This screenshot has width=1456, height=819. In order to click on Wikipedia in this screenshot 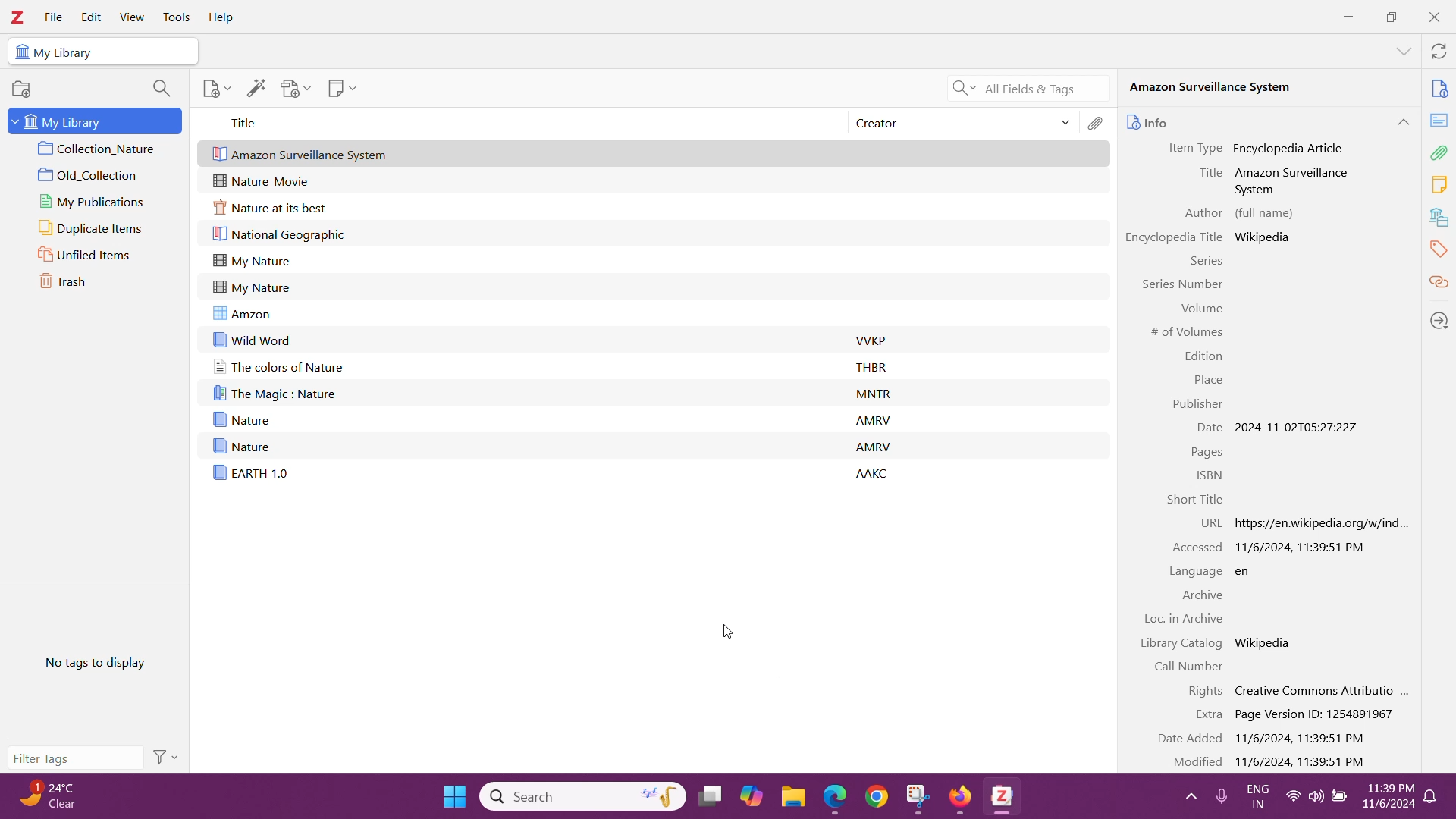, I will do `click(1261, 642)`.